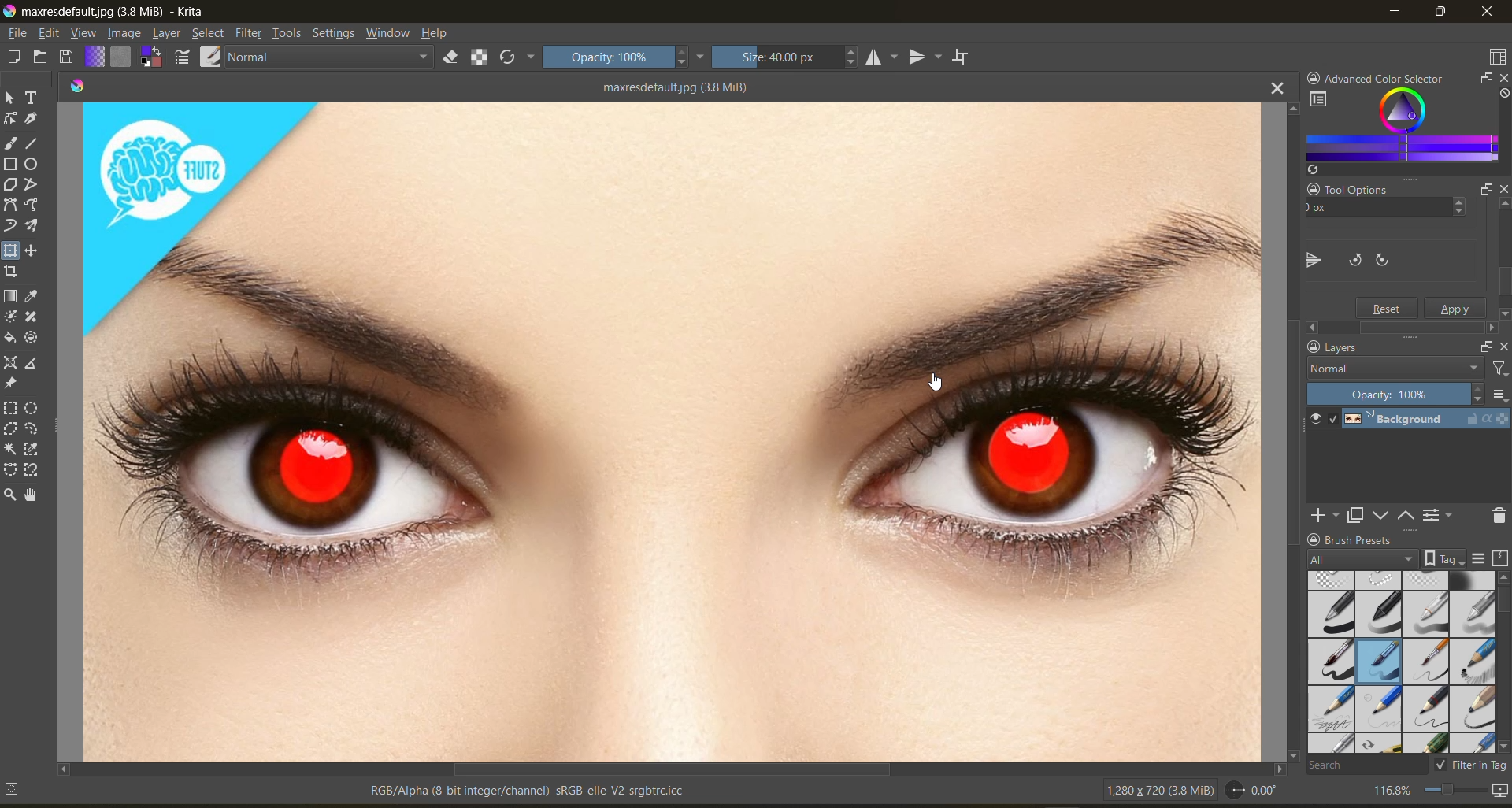 This screenshot has height=808, width=1512. Describe the element at coordinates (1348, 189) in the screenshot. I see `Tool Options` at that location.